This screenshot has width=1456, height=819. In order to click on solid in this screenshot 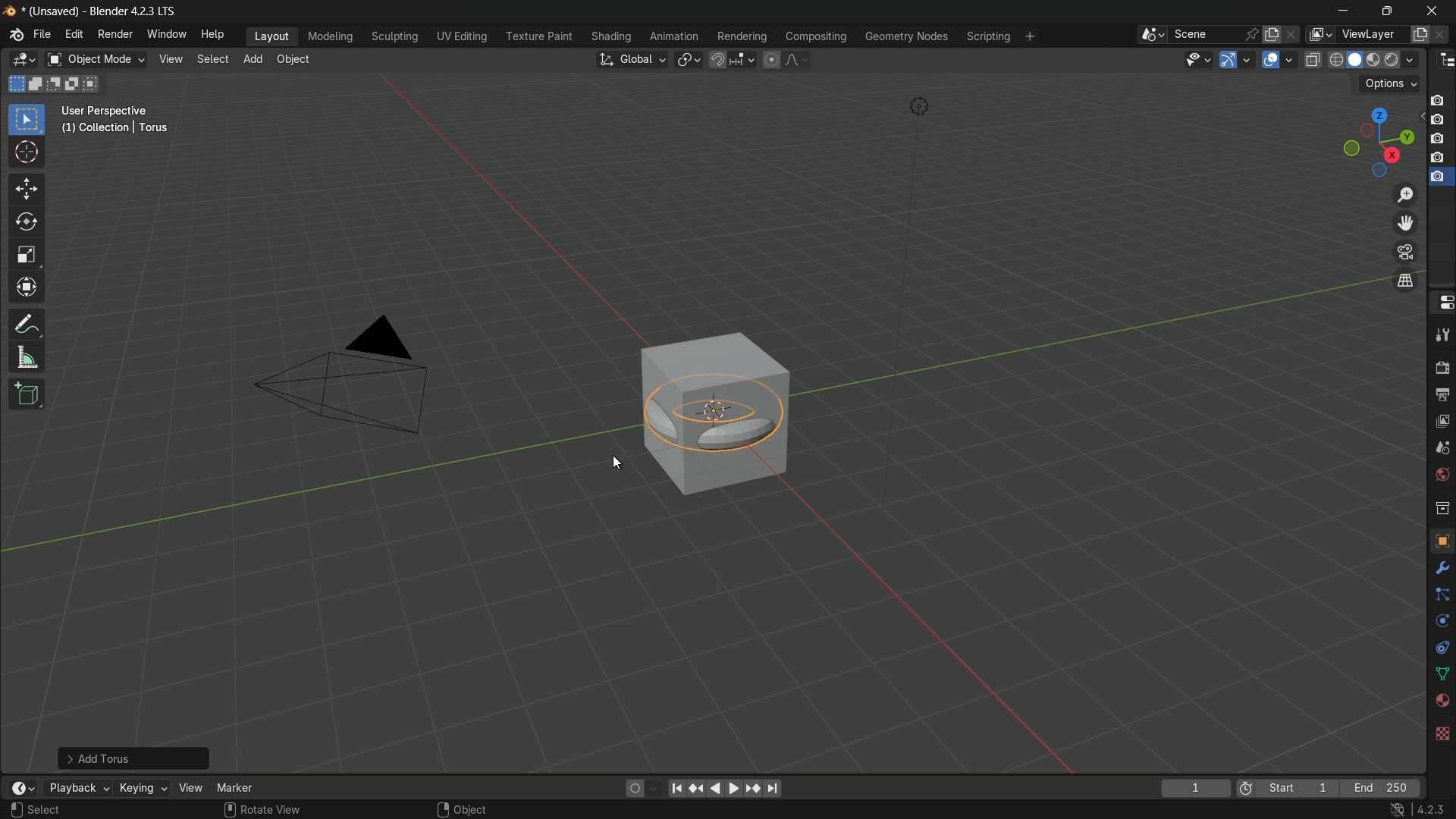, I will do `click(1357, 60)`.